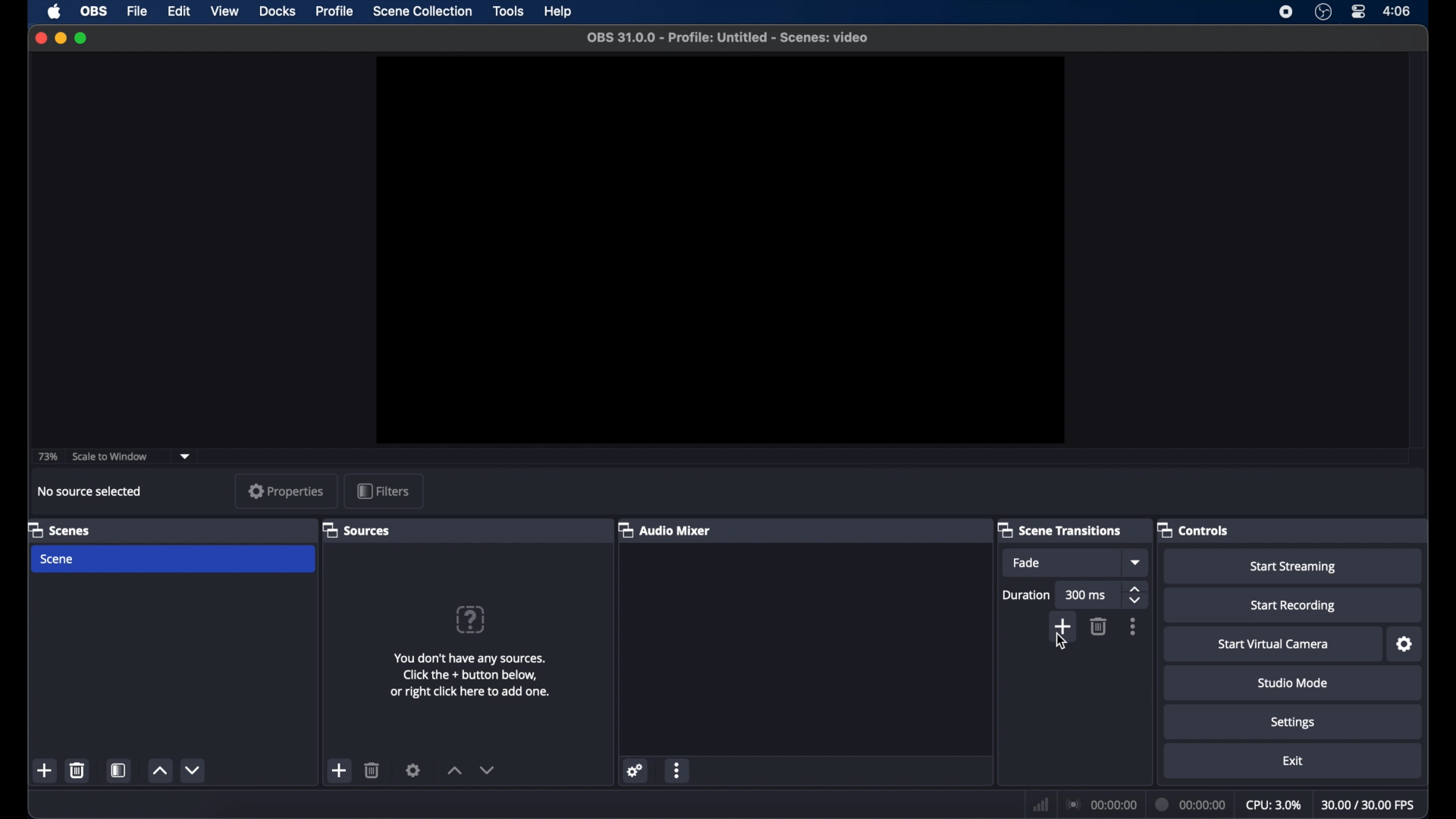 This screenshot has width=1456, height=819. I want to click on info, so click(470, 677).